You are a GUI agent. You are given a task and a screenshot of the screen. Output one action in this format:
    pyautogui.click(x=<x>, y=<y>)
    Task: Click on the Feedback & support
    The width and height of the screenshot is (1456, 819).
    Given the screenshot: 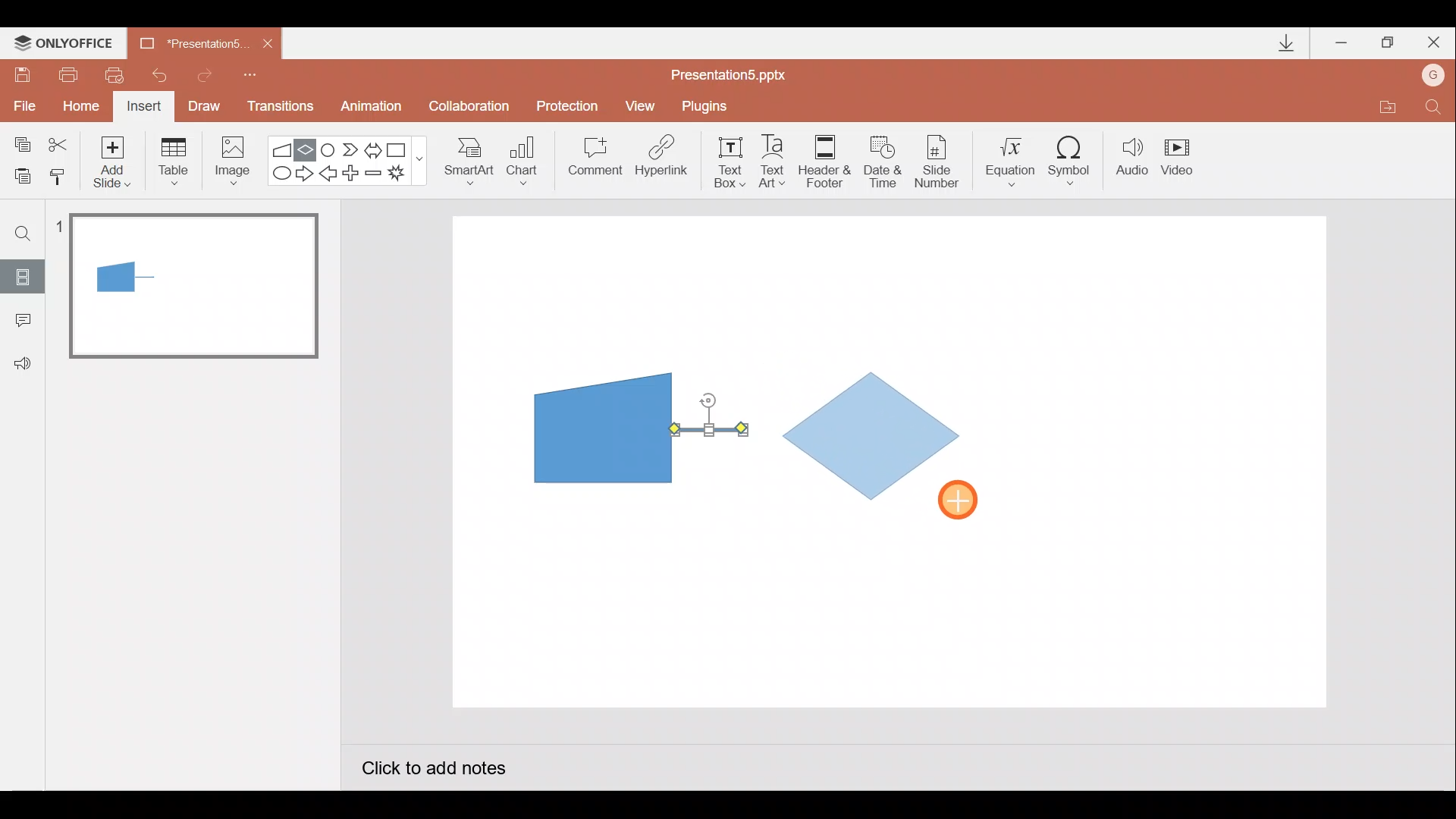 What is the action you would take?
    pyautogui.click(x=24, y=362)
    